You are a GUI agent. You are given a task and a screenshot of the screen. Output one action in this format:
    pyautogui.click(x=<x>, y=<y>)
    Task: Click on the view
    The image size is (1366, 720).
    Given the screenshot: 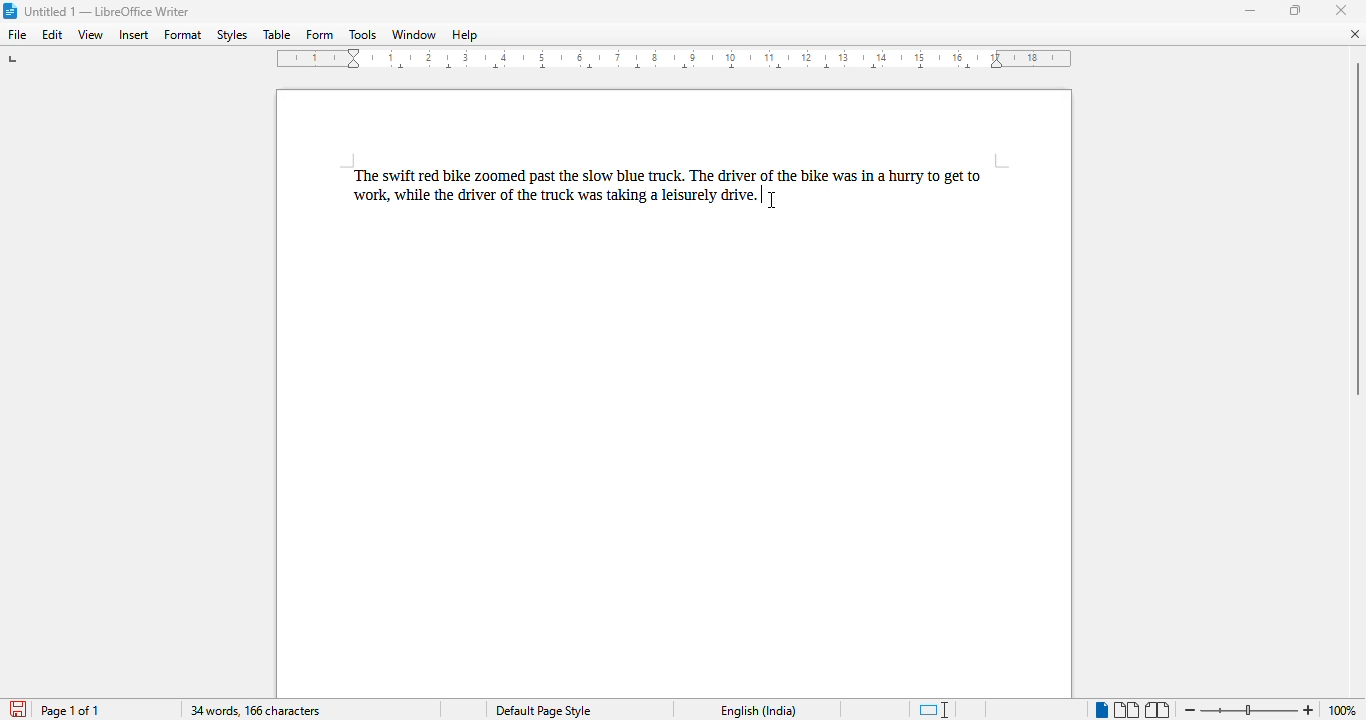 What is the action you would take?
    pyautogui.click(x=90, y=34)
    